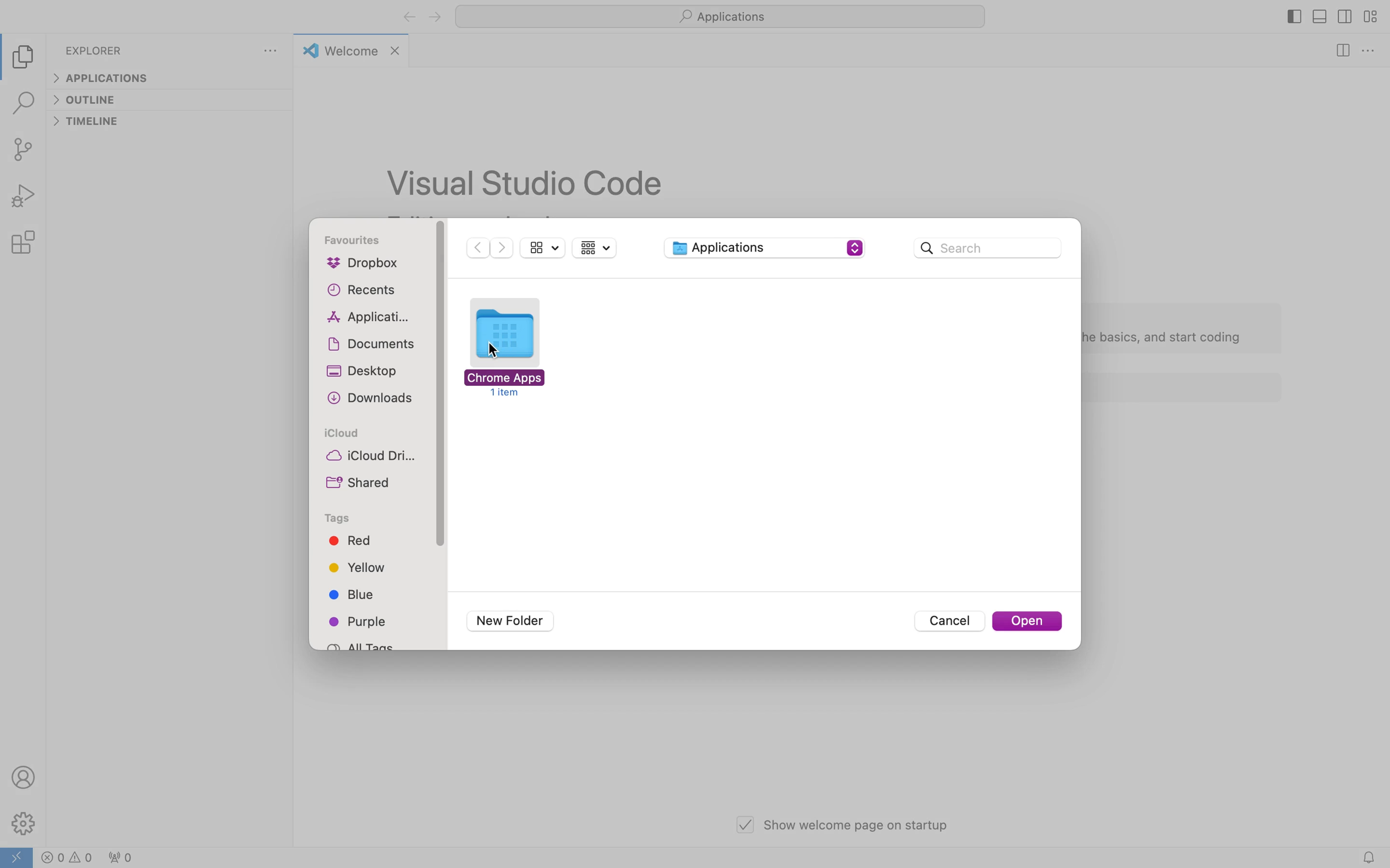 The height and width of the screenshot is (868, 1390). I want to click on forward, so click(434, 17).